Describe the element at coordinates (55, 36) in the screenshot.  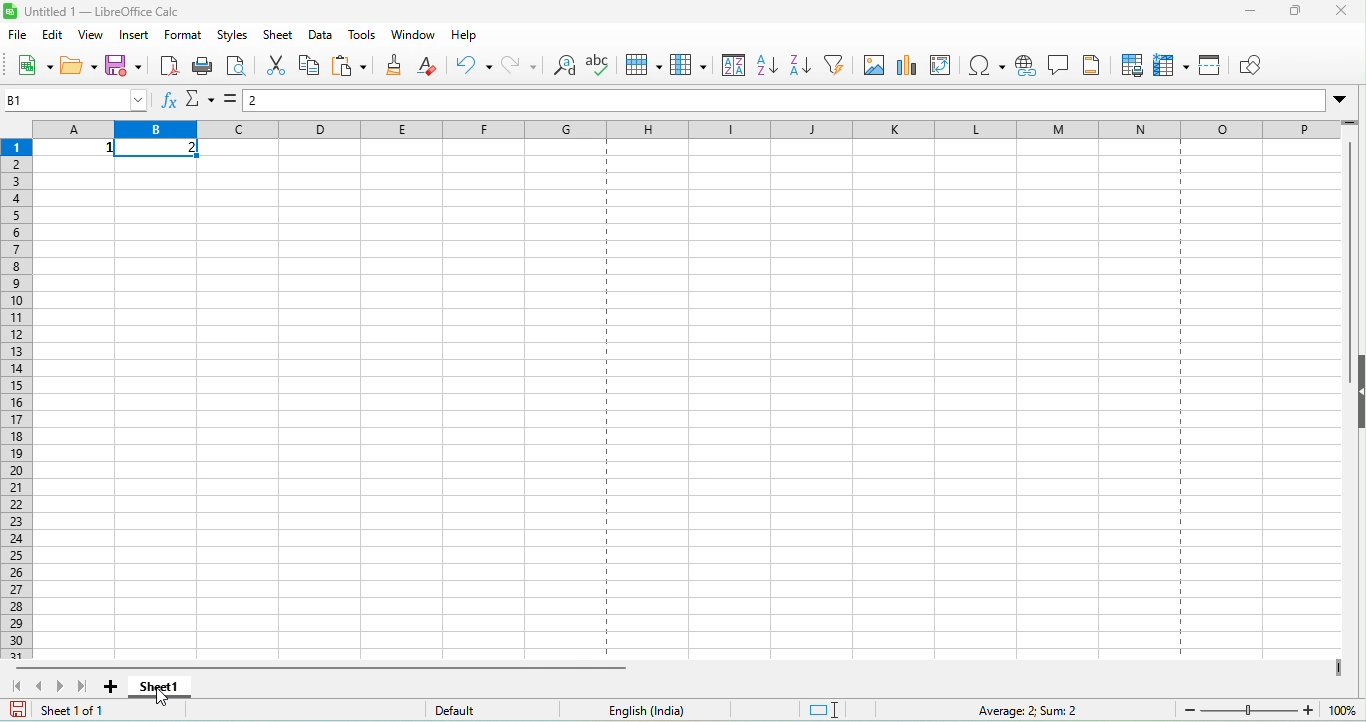
I see `edit` at that location.